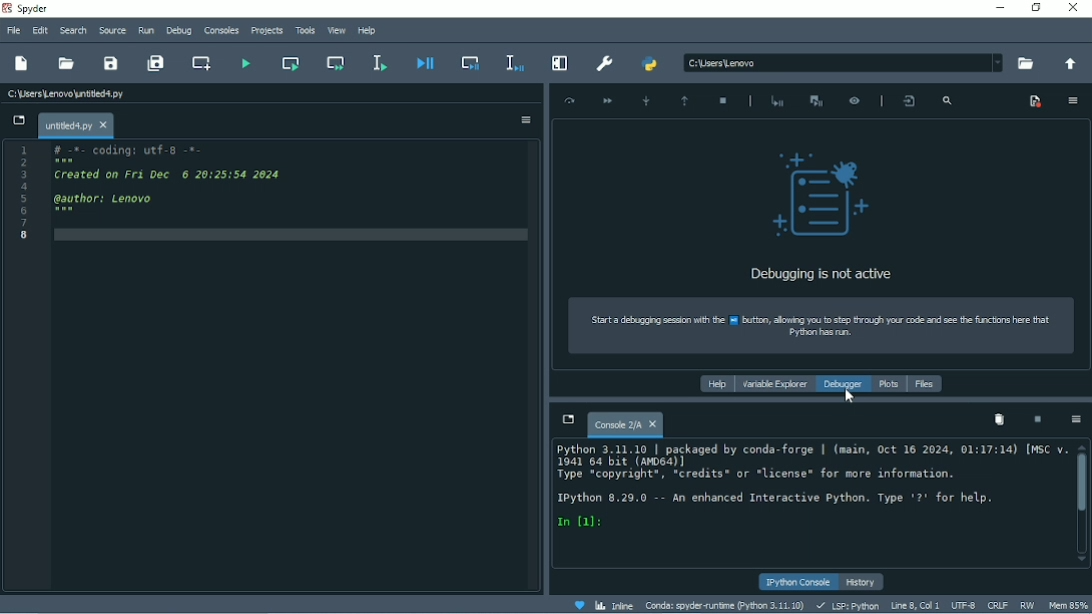 The width and height of the screenshot is (1092, 614). Describe the element at coordinates (1083, 444) in the screenshot. I see `scroll up` at that location.